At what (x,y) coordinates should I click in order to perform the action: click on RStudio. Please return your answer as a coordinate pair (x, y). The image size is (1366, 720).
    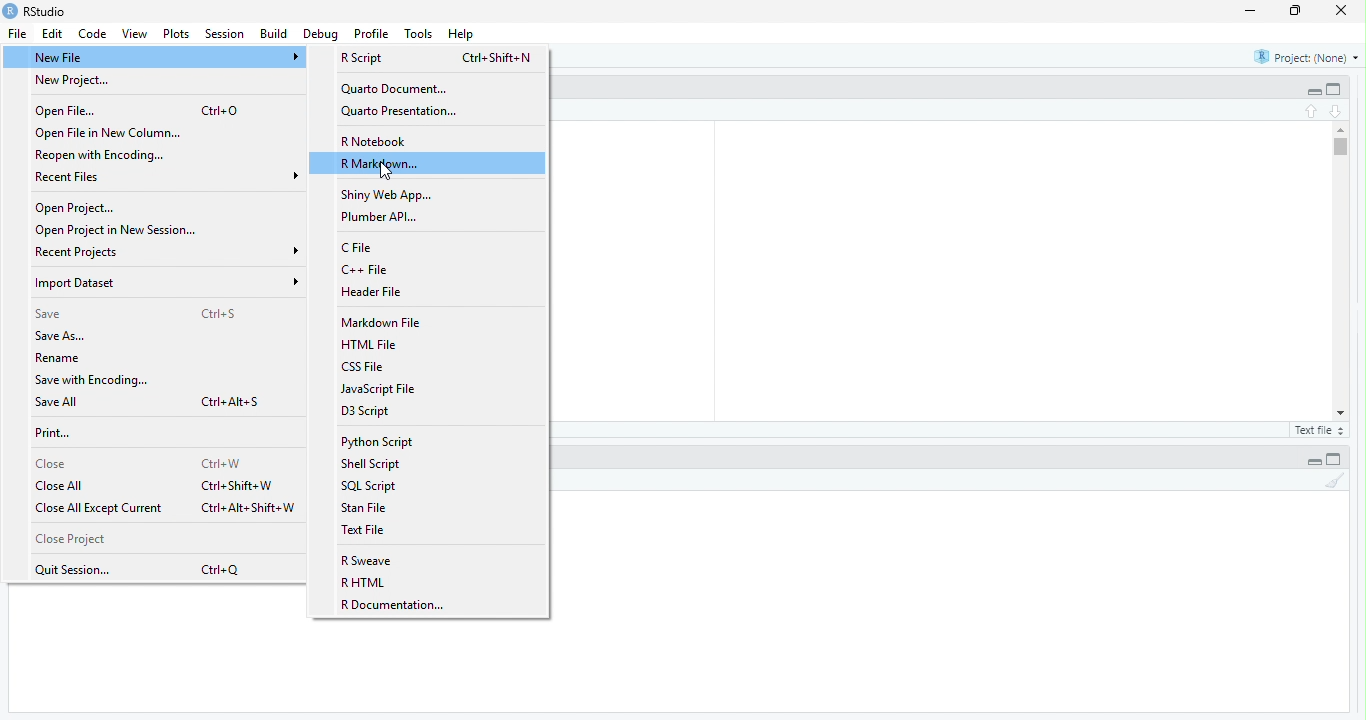
    Looking at the image, I should click on (46, 11).